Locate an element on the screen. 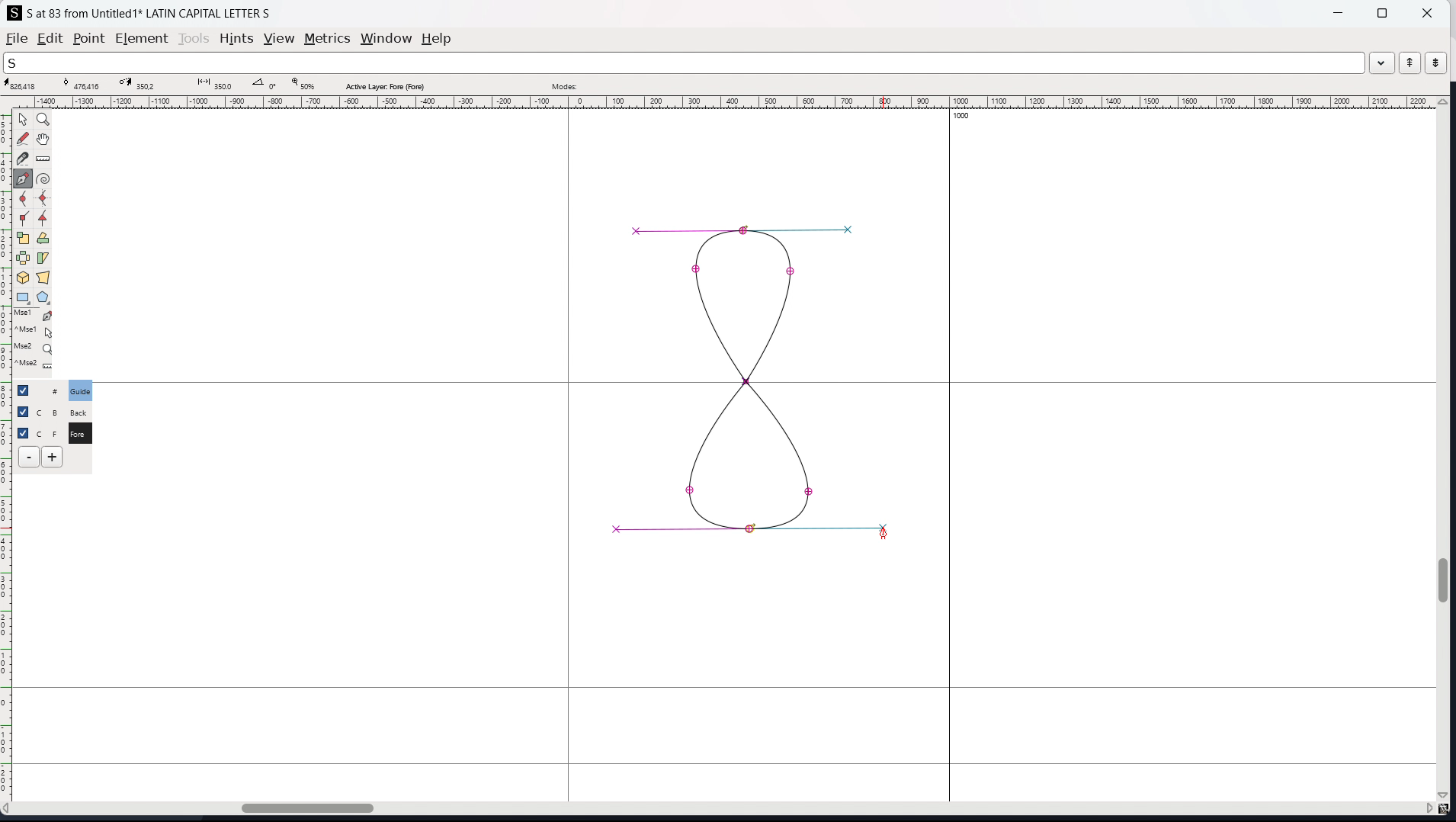 The width and height of the screenshot is (1456, 822). curve point coordinate is located at coordinates (86, 84).